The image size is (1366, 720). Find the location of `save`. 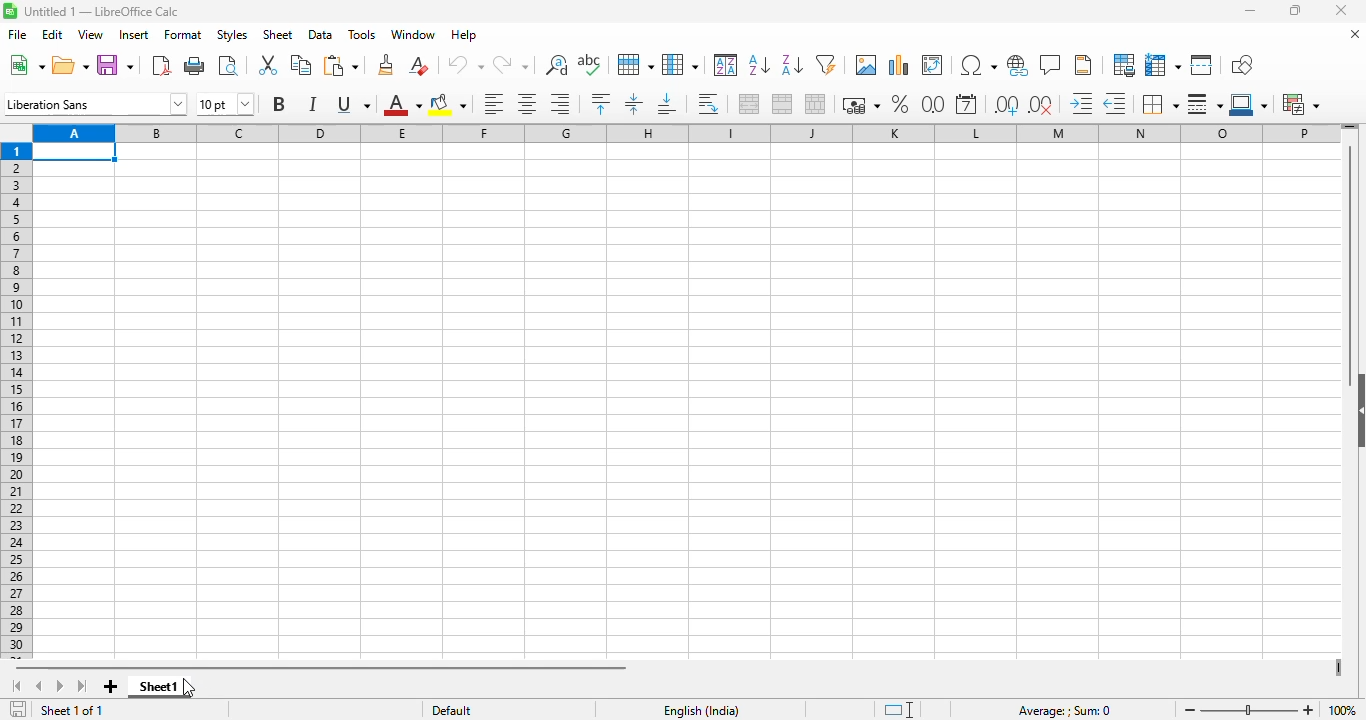

save is located at coordinates (116, 65).